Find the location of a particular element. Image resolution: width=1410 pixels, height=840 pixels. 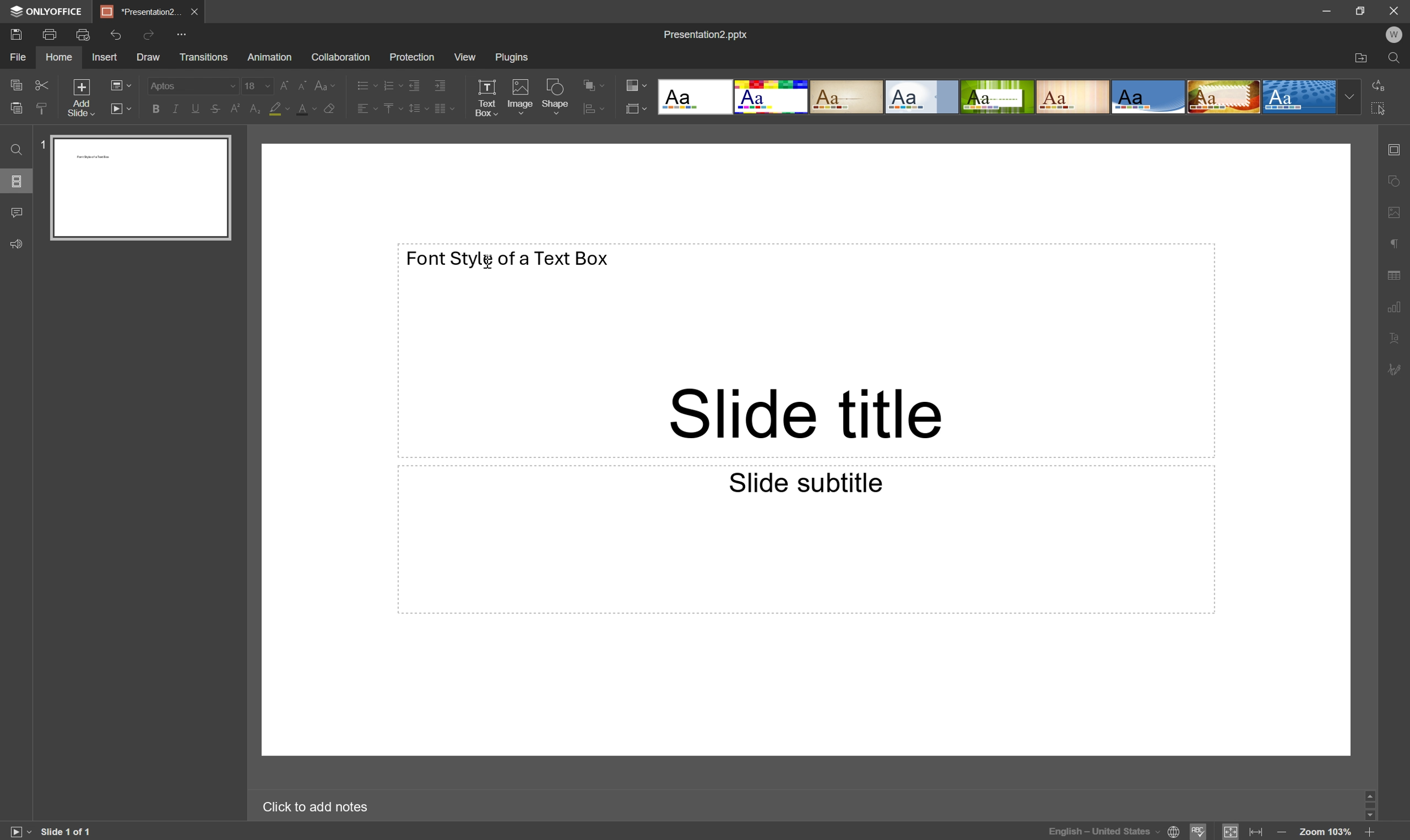

Collaboration is located at coordinates (342, 54).